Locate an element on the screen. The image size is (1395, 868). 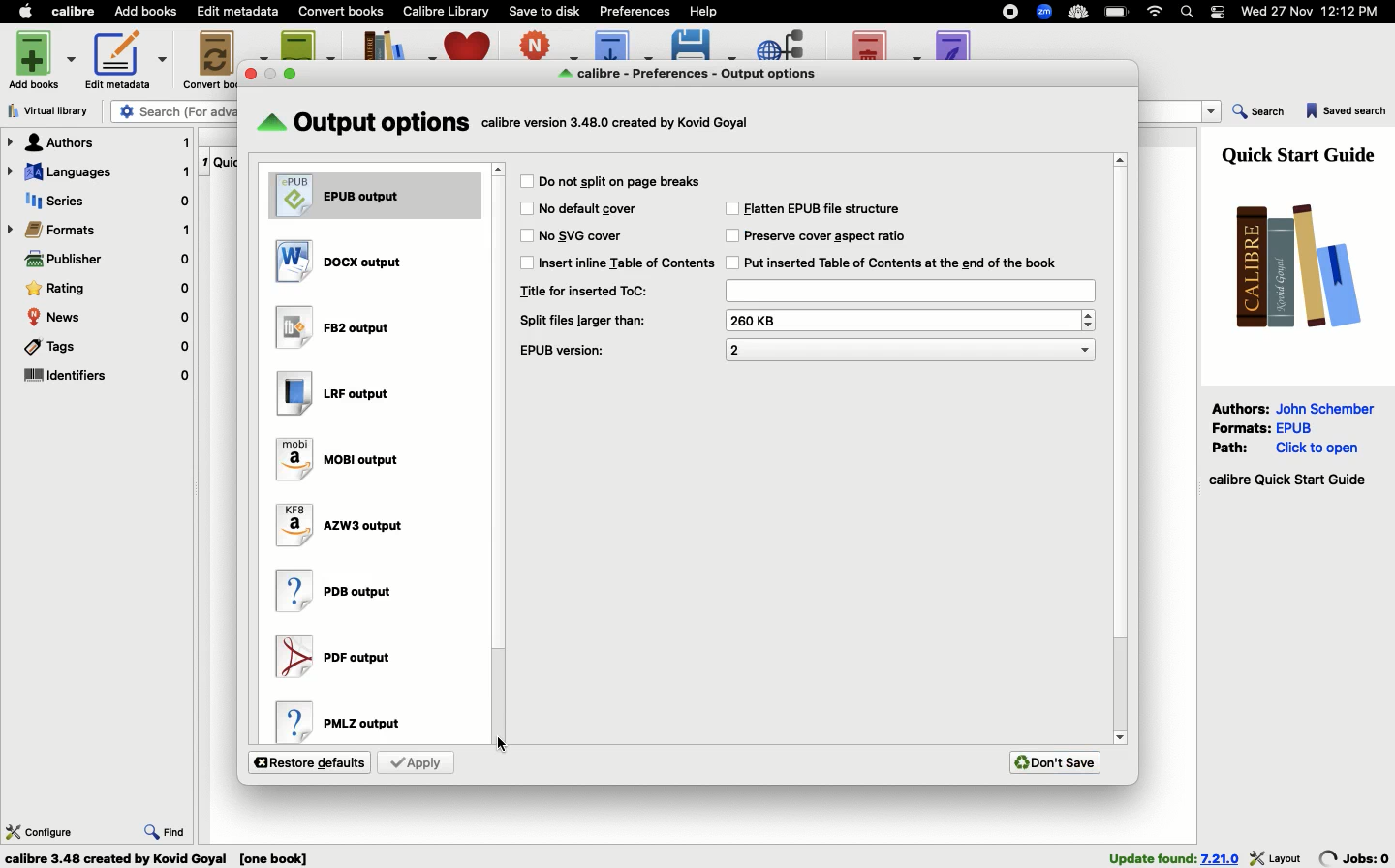
EPUB version  is located at coordinates (912, 349).